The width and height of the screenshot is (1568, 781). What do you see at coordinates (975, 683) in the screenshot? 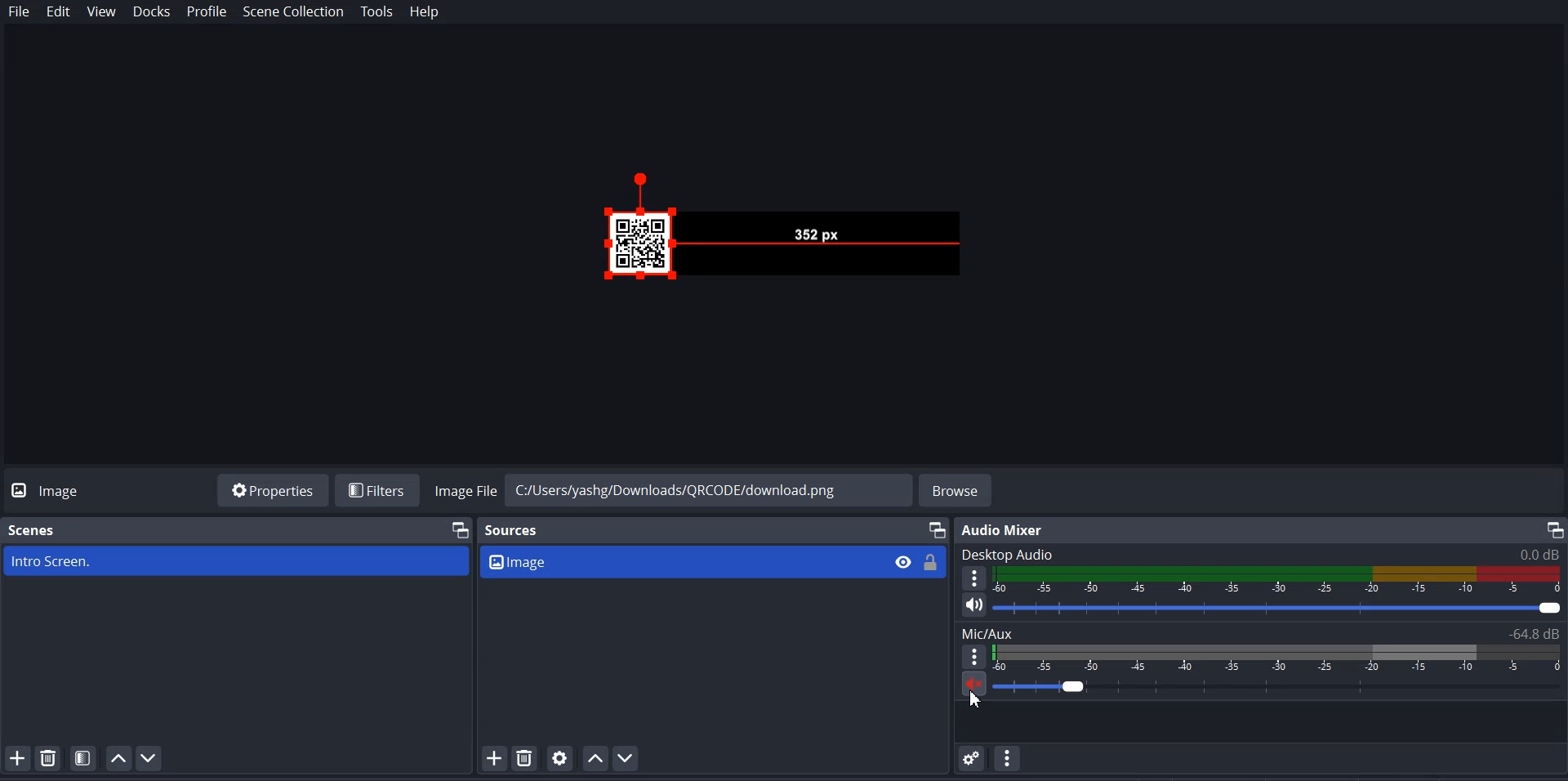
I see `Mute` at bounding box center [975, 683].